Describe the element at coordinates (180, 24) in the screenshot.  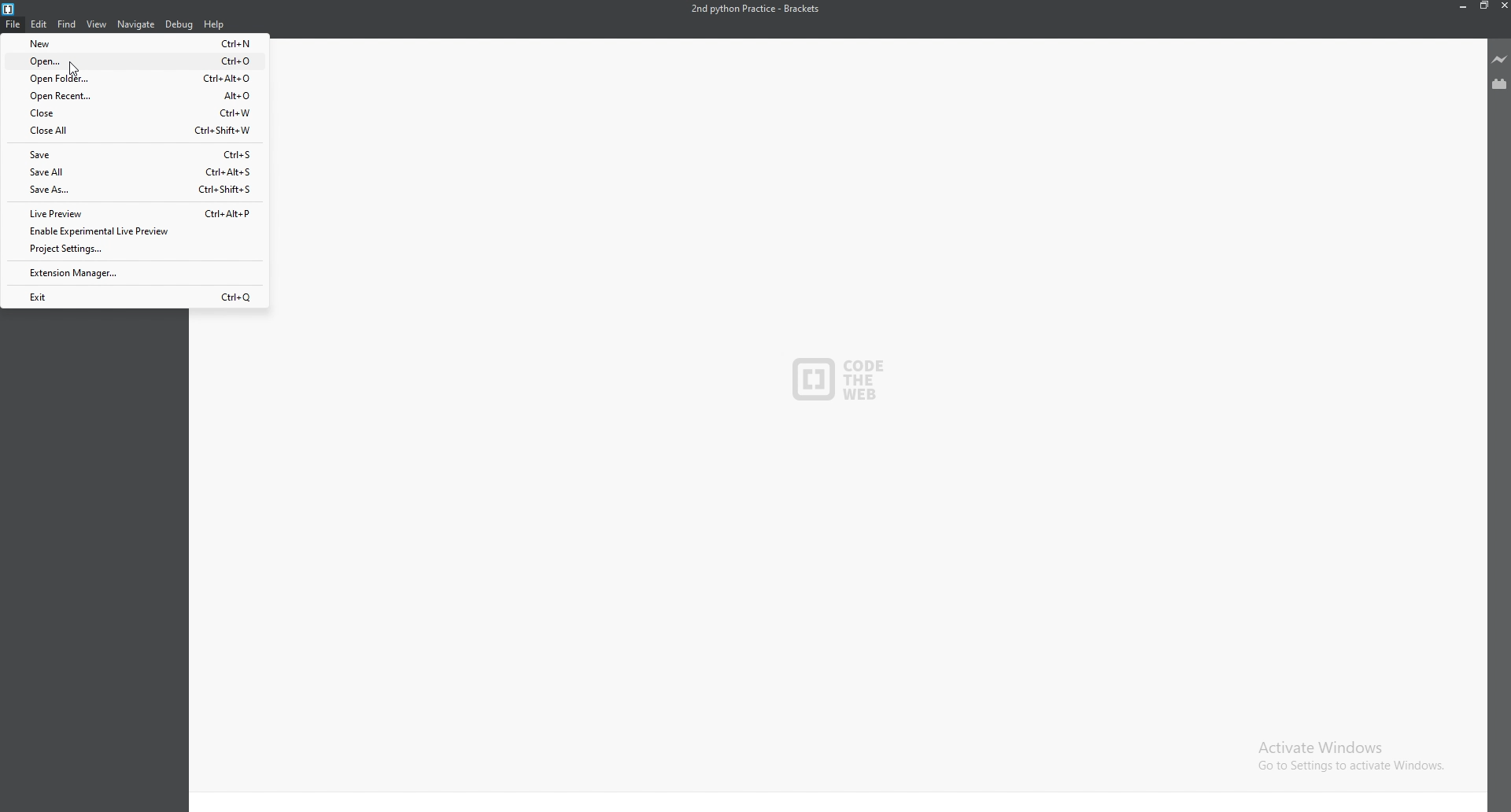
I see `debug` at that location.